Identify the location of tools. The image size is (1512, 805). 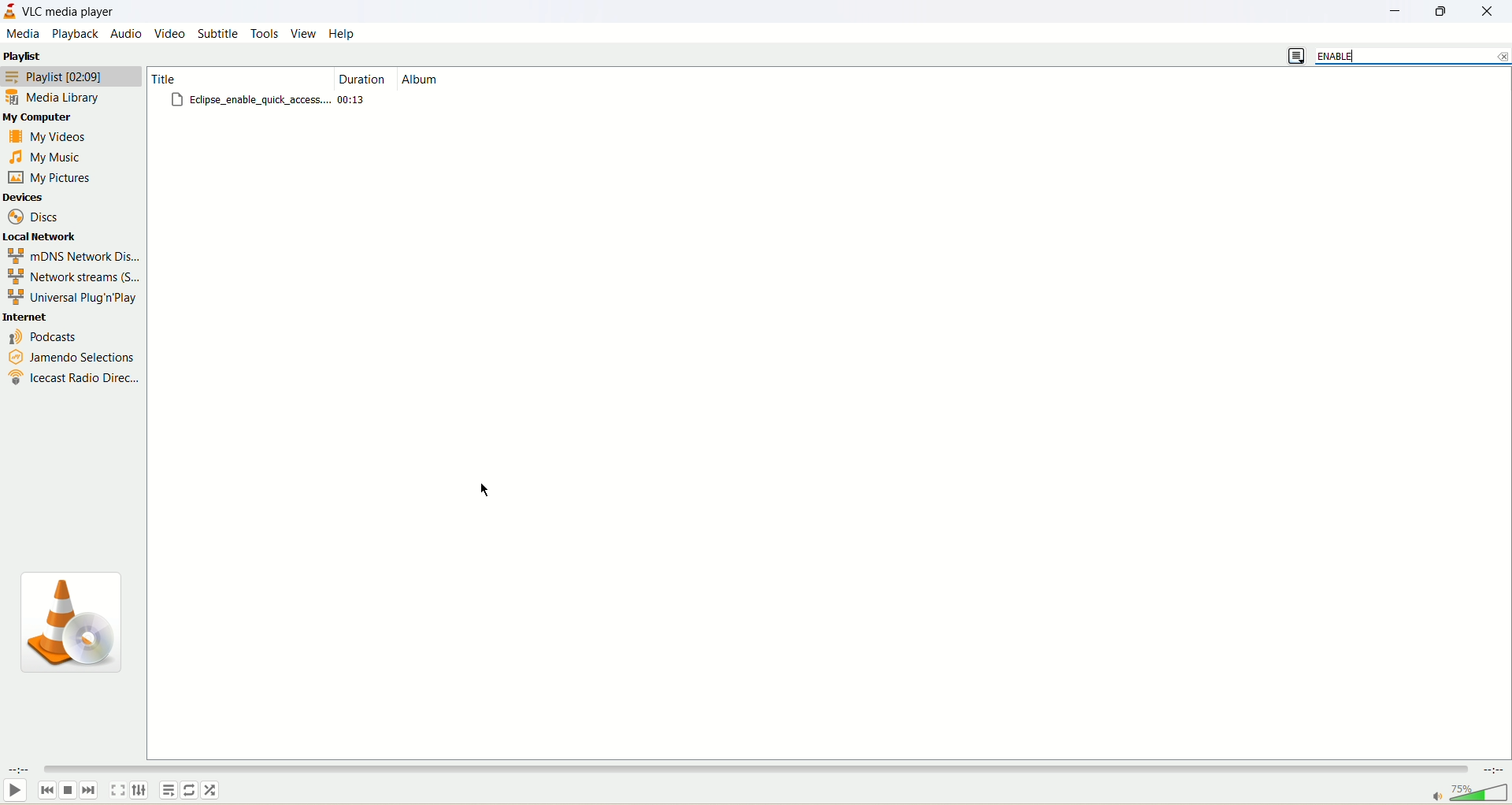
(265, 33).